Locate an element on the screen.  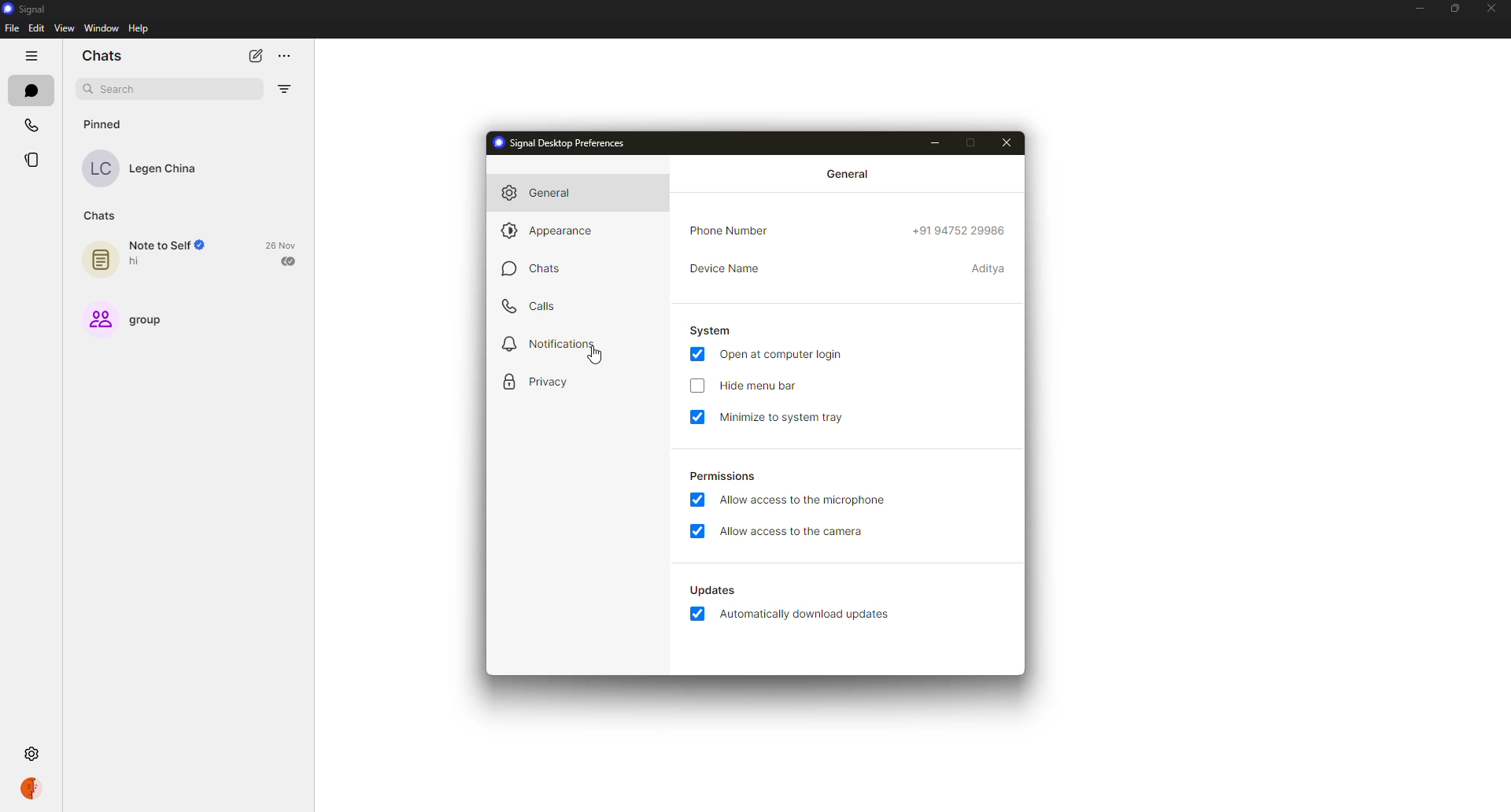
filter is located at coordinates (284, 89).